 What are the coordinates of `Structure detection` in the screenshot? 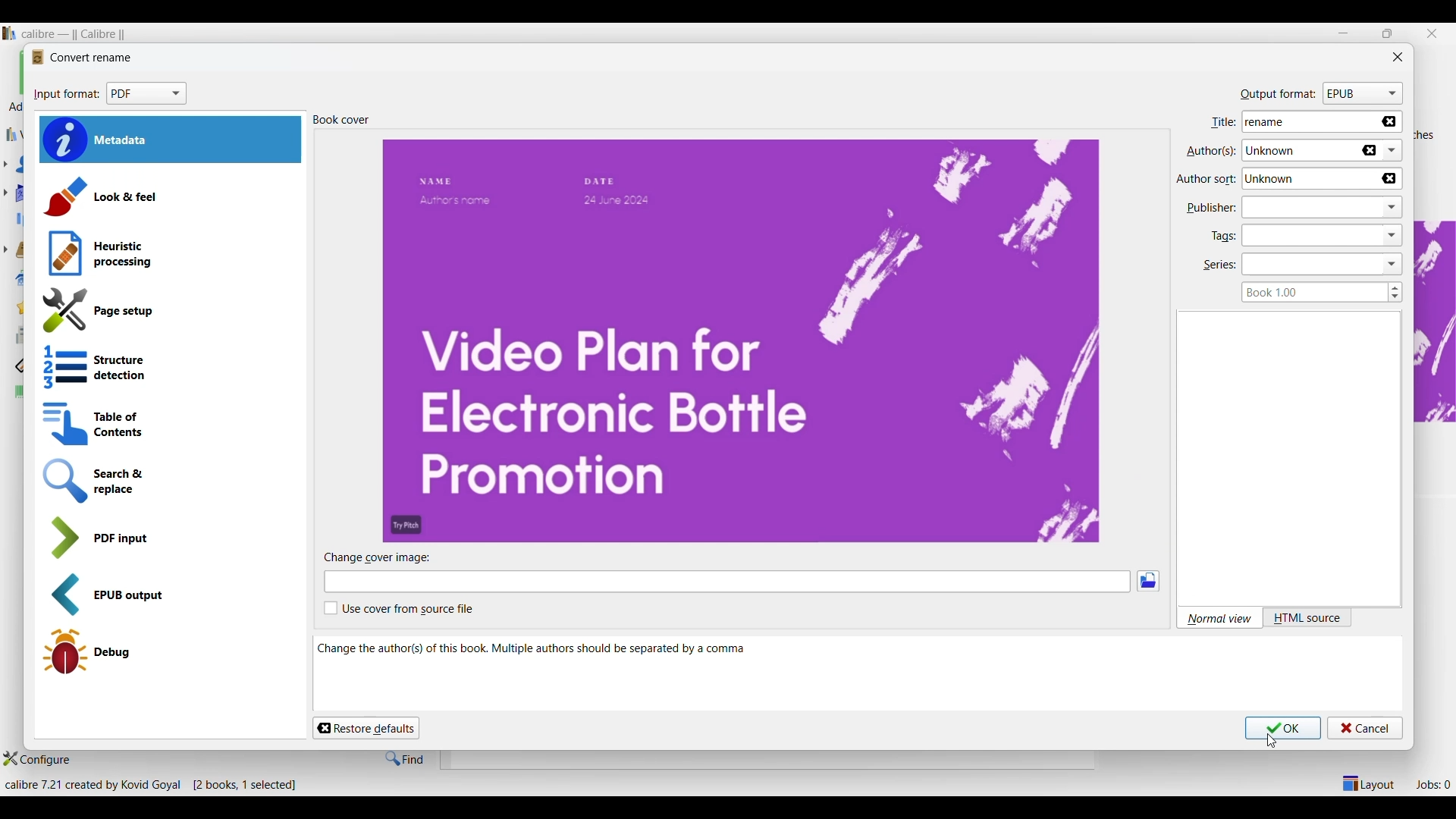 It's located at (165, 367).